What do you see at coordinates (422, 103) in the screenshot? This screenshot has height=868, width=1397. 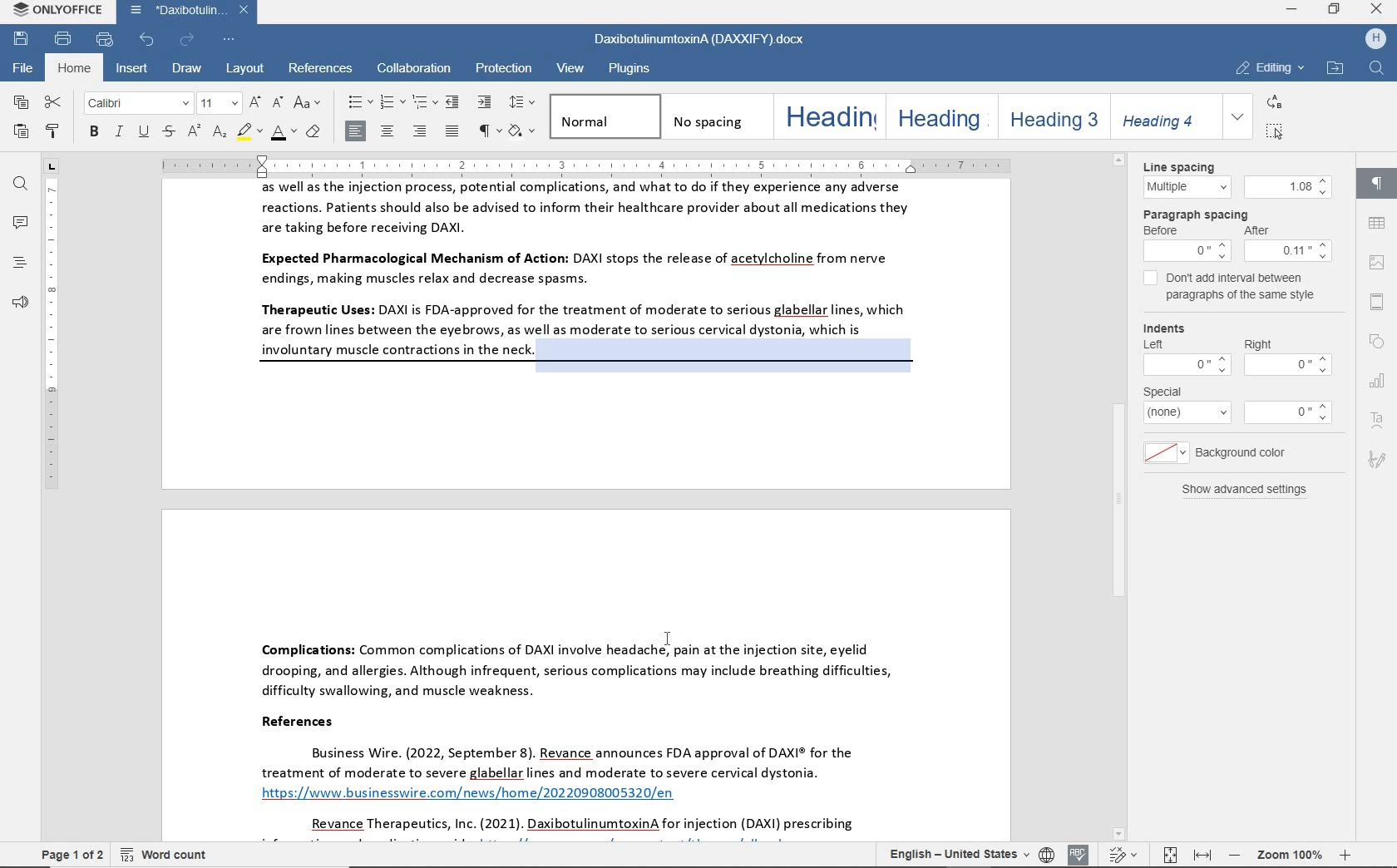 I see `multilevel list` at bounding box center [422, 103].